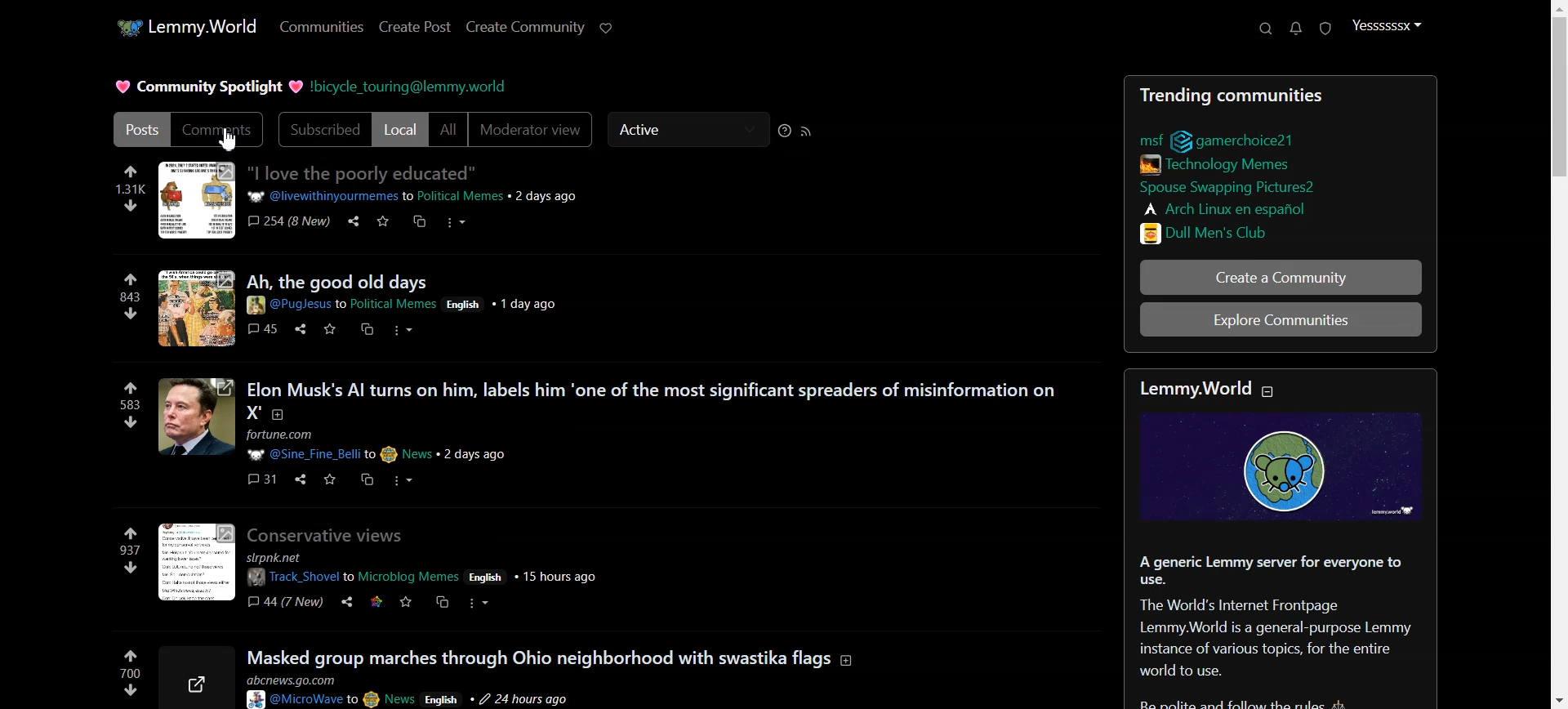 This screenshot has width=1568, height=709. Describe the element at coordinates (1220, 163) in the screenshot. I see `LInks` at that location.